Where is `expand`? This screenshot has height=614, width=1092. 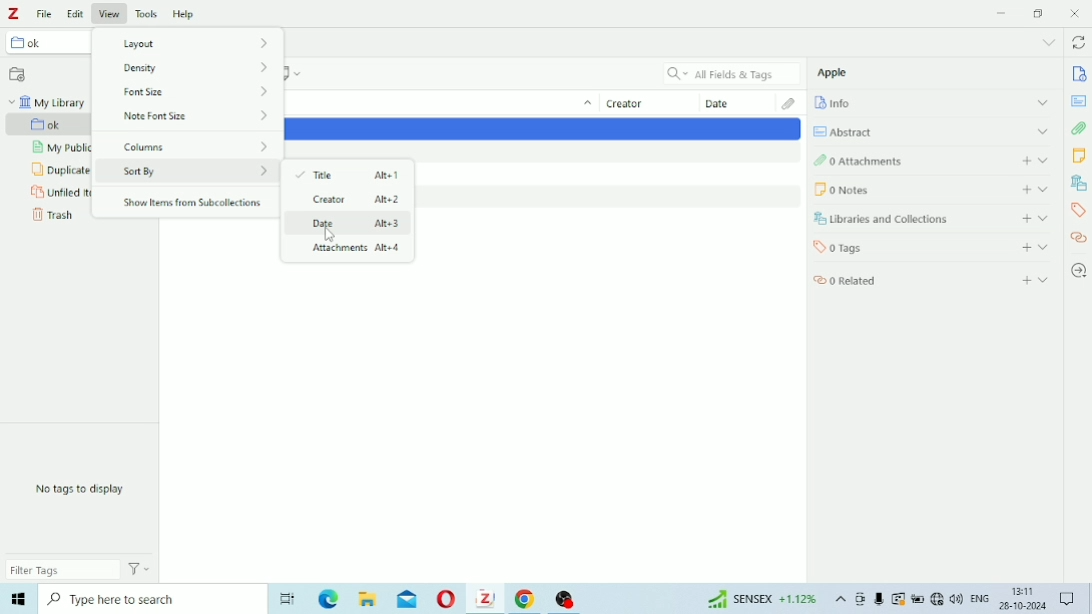
expand is located at coordinates (1045, 132).